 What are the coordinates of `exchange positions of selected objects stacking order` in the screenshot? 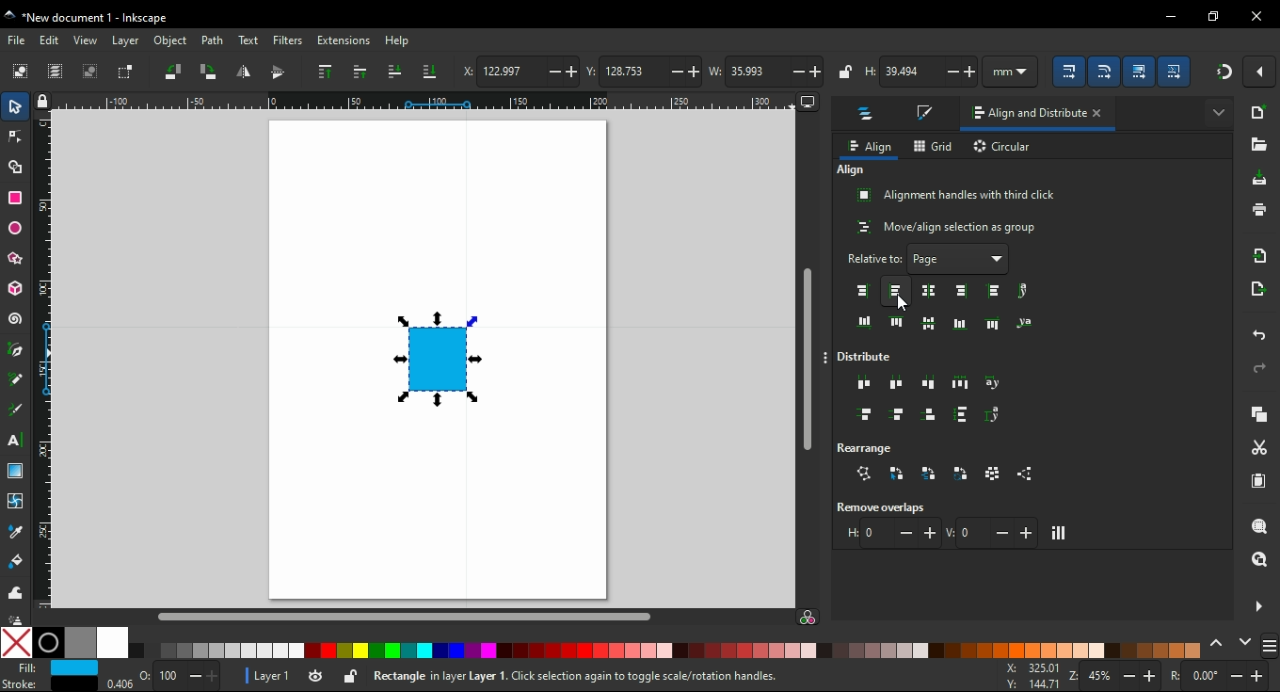 It's located at (927, 473).